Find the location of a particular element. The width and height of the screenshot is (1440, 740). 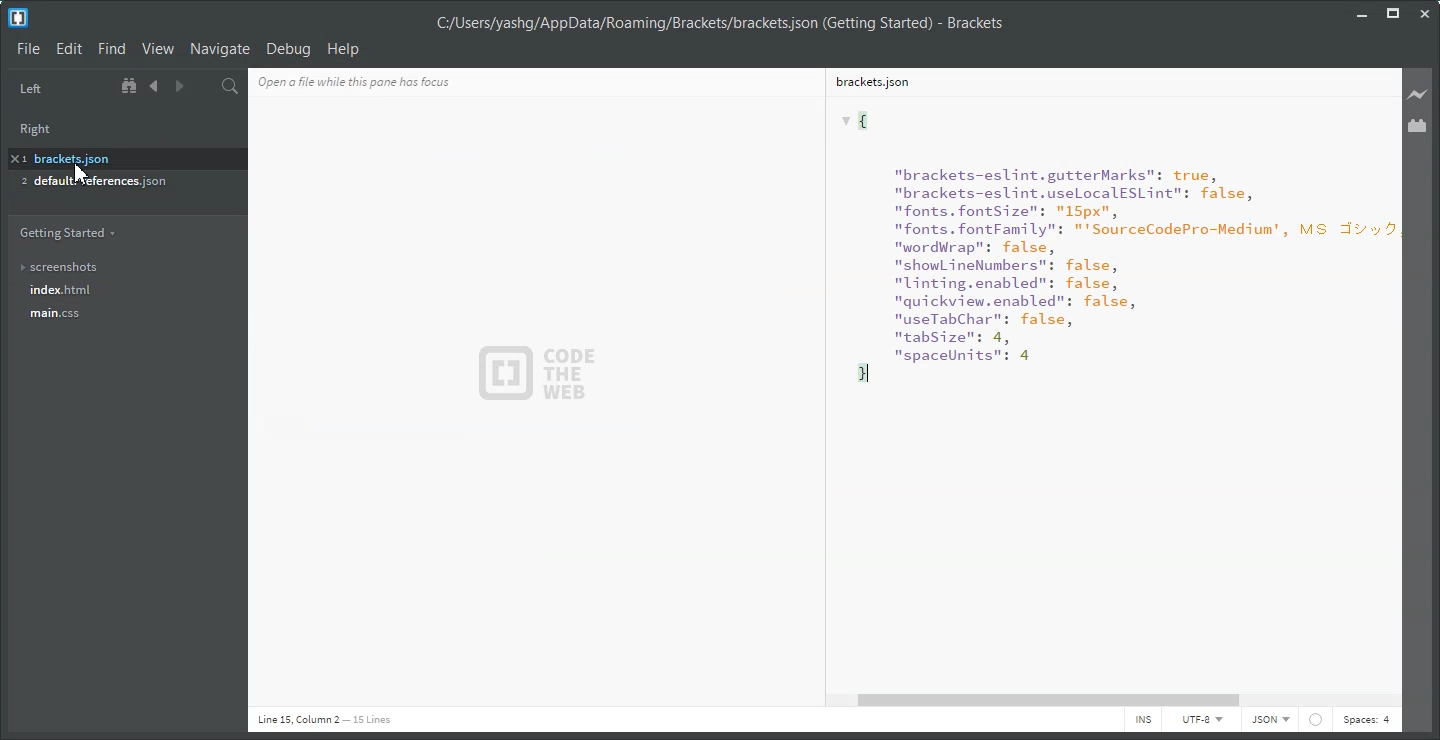

index.html is located at coordinates (124, 291).